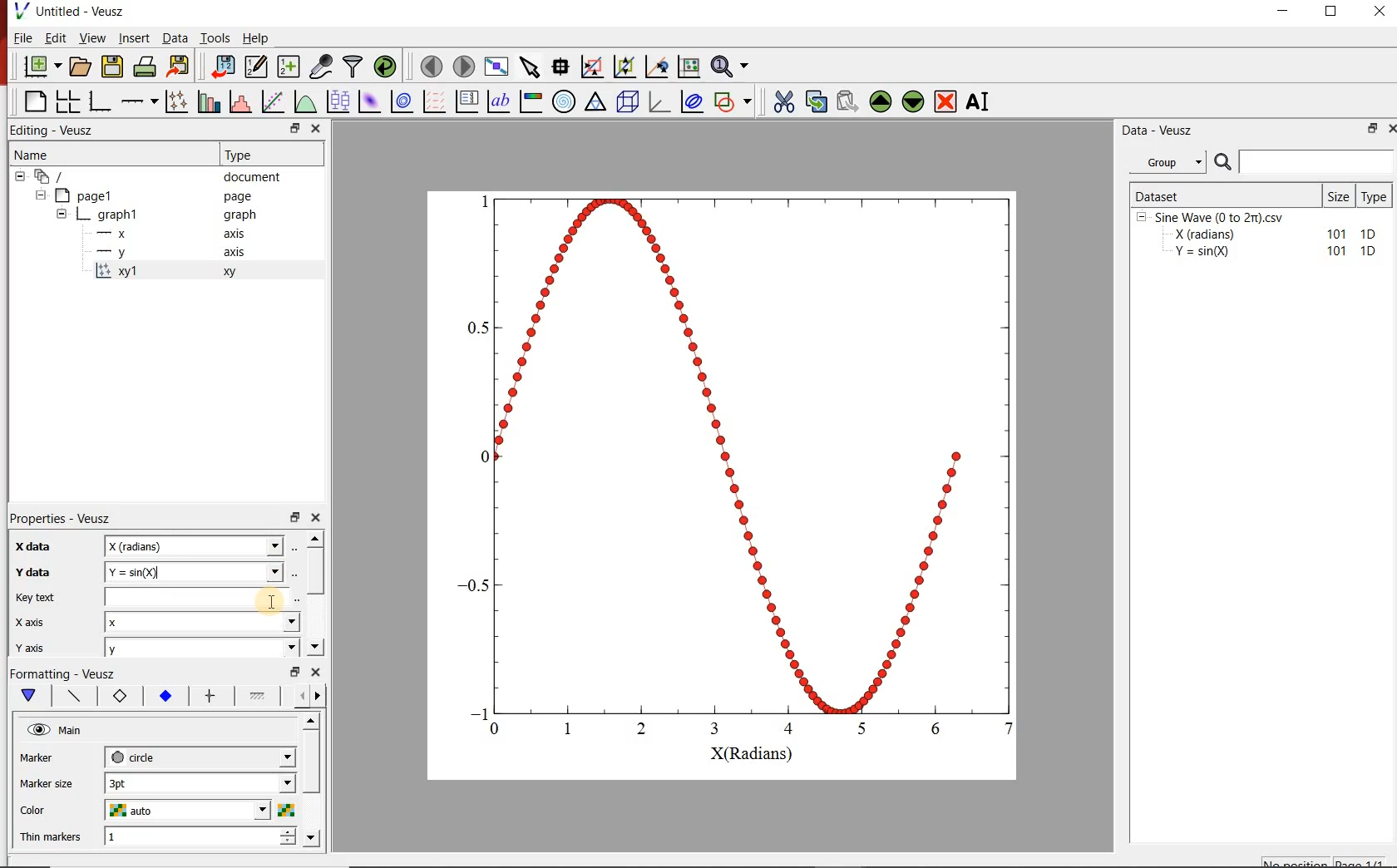  Describe the element at coordinates (101, 101) in the screenshot. I see `Base graph` at that location.